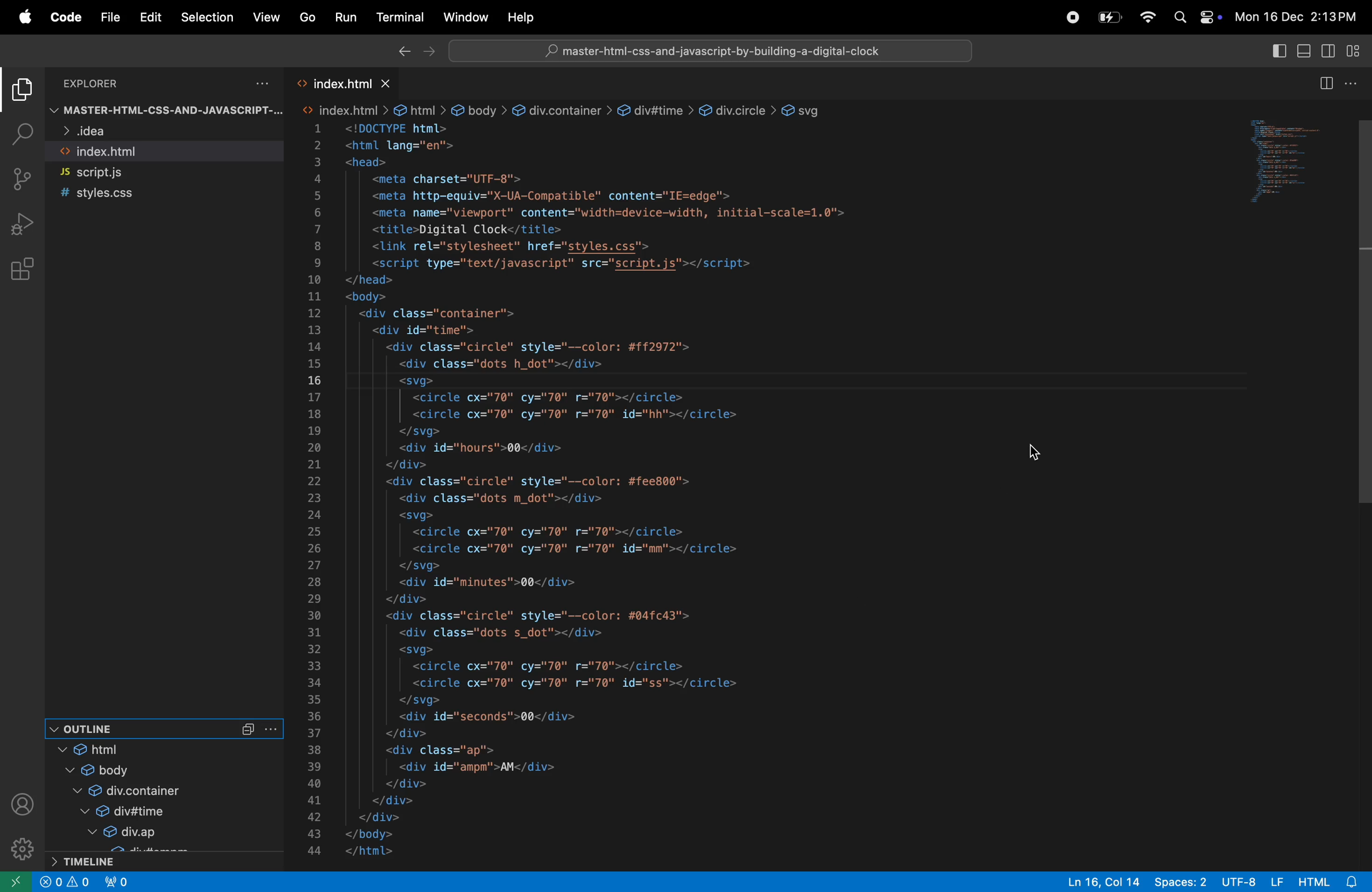  Describe the element at coordinates (307, 17) in the screenshot. I see `Go` at that location.